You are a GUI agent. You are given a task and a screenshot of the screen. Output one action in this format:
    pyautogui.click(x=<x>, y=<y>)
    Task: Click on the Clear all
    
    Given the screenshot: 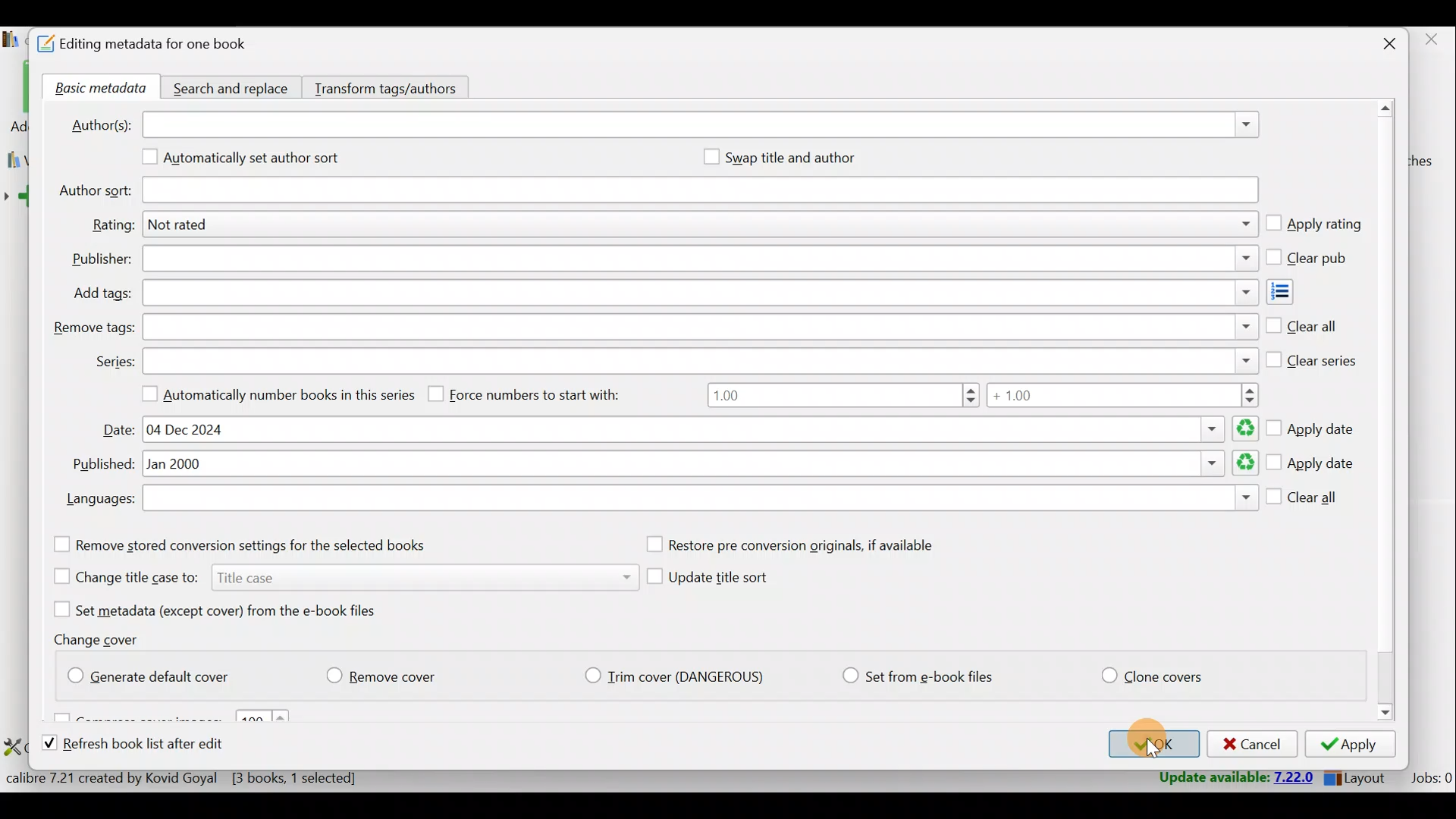 What is the action you would take?
    pyautogui.click(x=1304, y=500)
    